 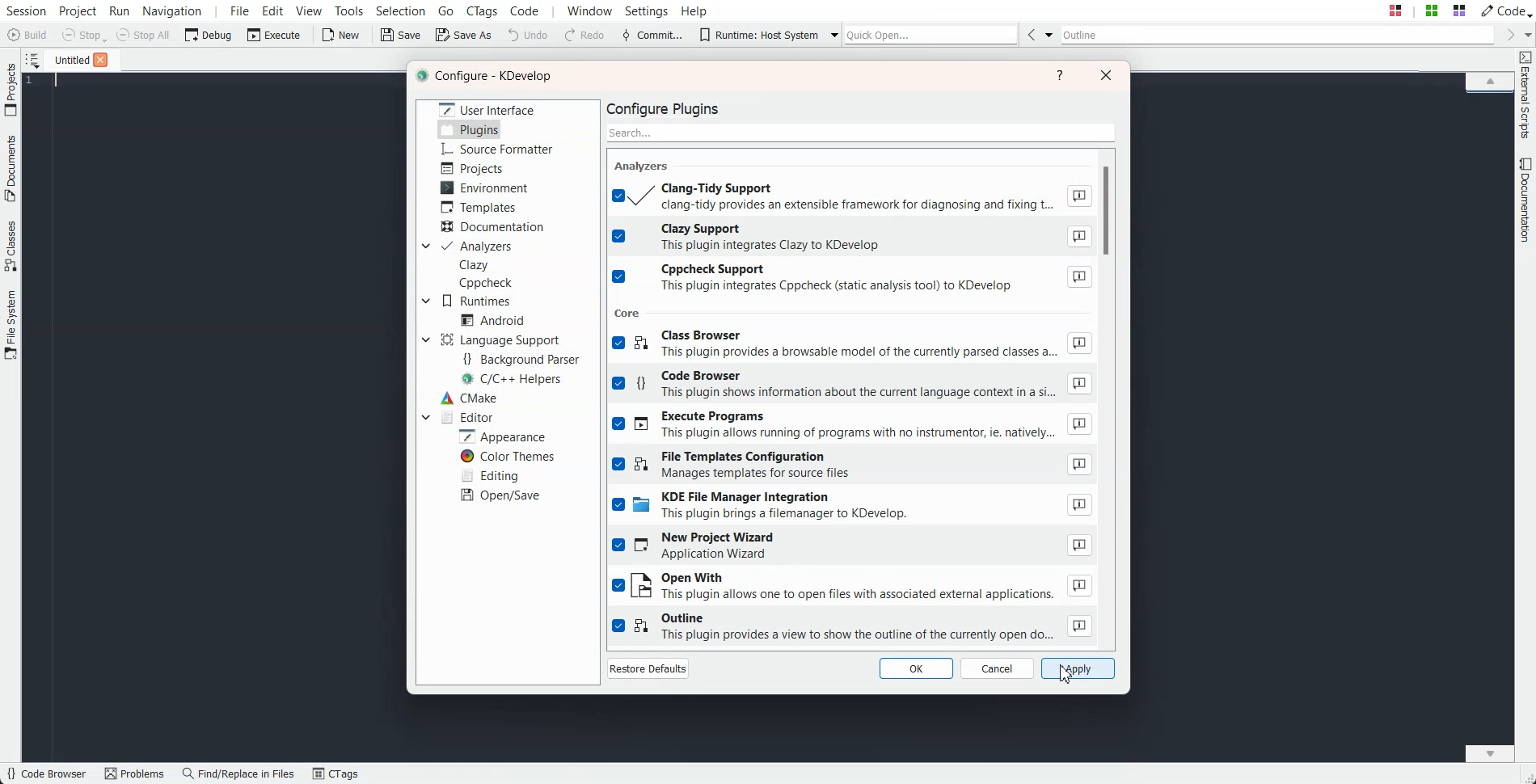 What do you see at coordinates (34, 81) in the screenshot?
I see `Number line` at bounding box center [34, 81].